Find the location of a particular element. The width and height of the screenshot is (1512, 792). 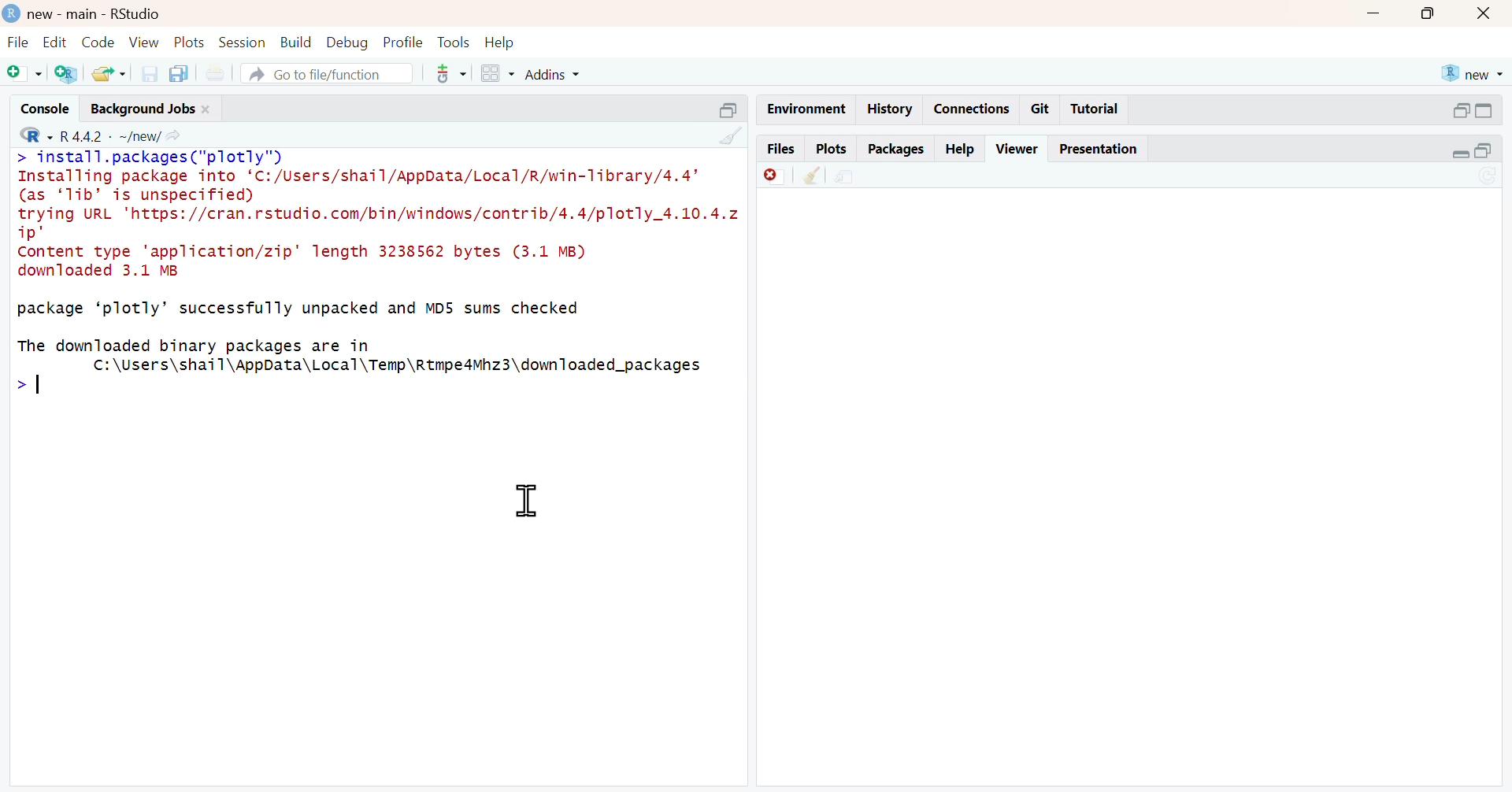

prompt cursor is located at coordinates (17, 159).